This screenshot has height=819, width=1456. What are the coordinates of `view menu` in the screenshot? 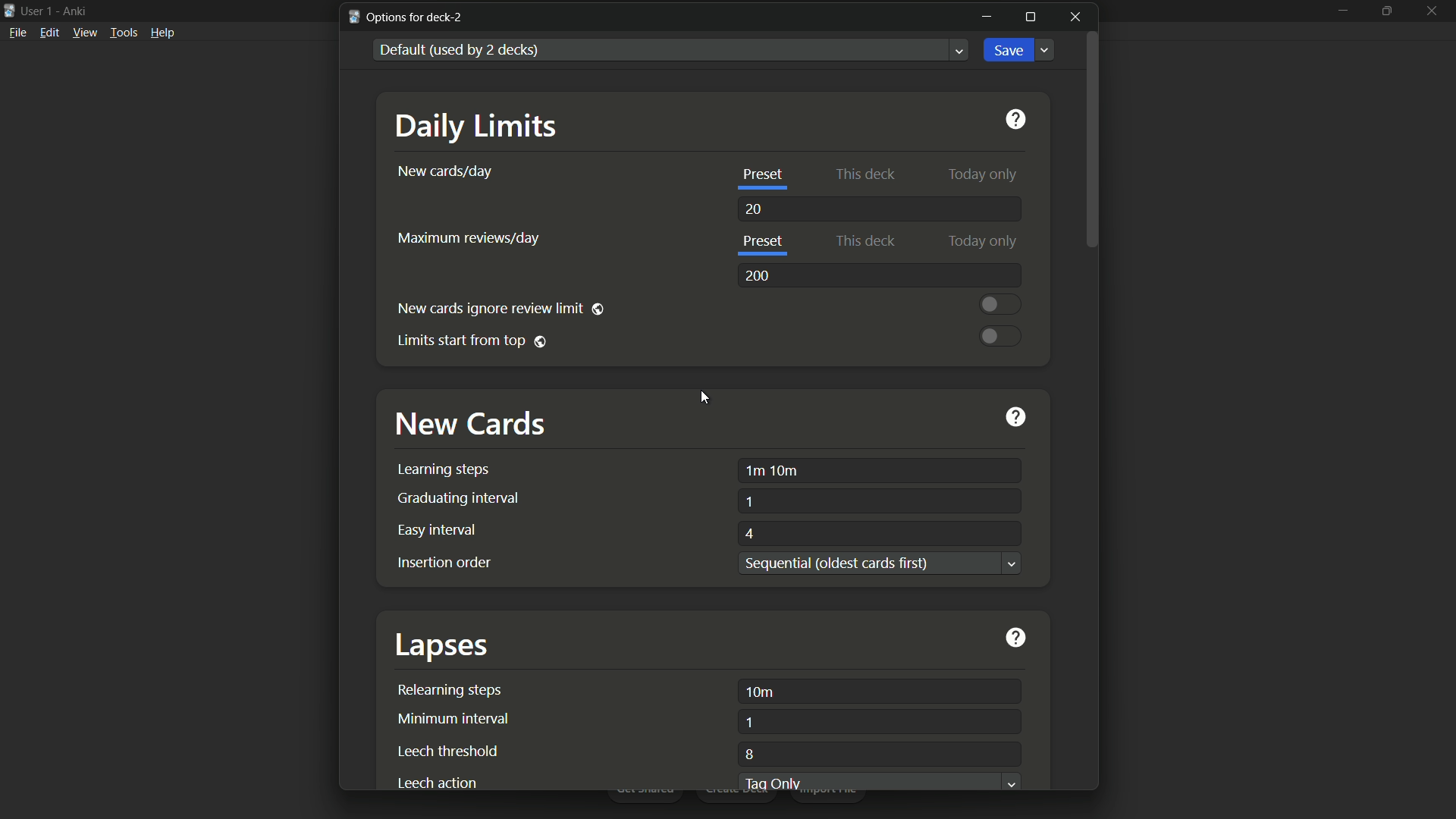 It's located at (85, 33).